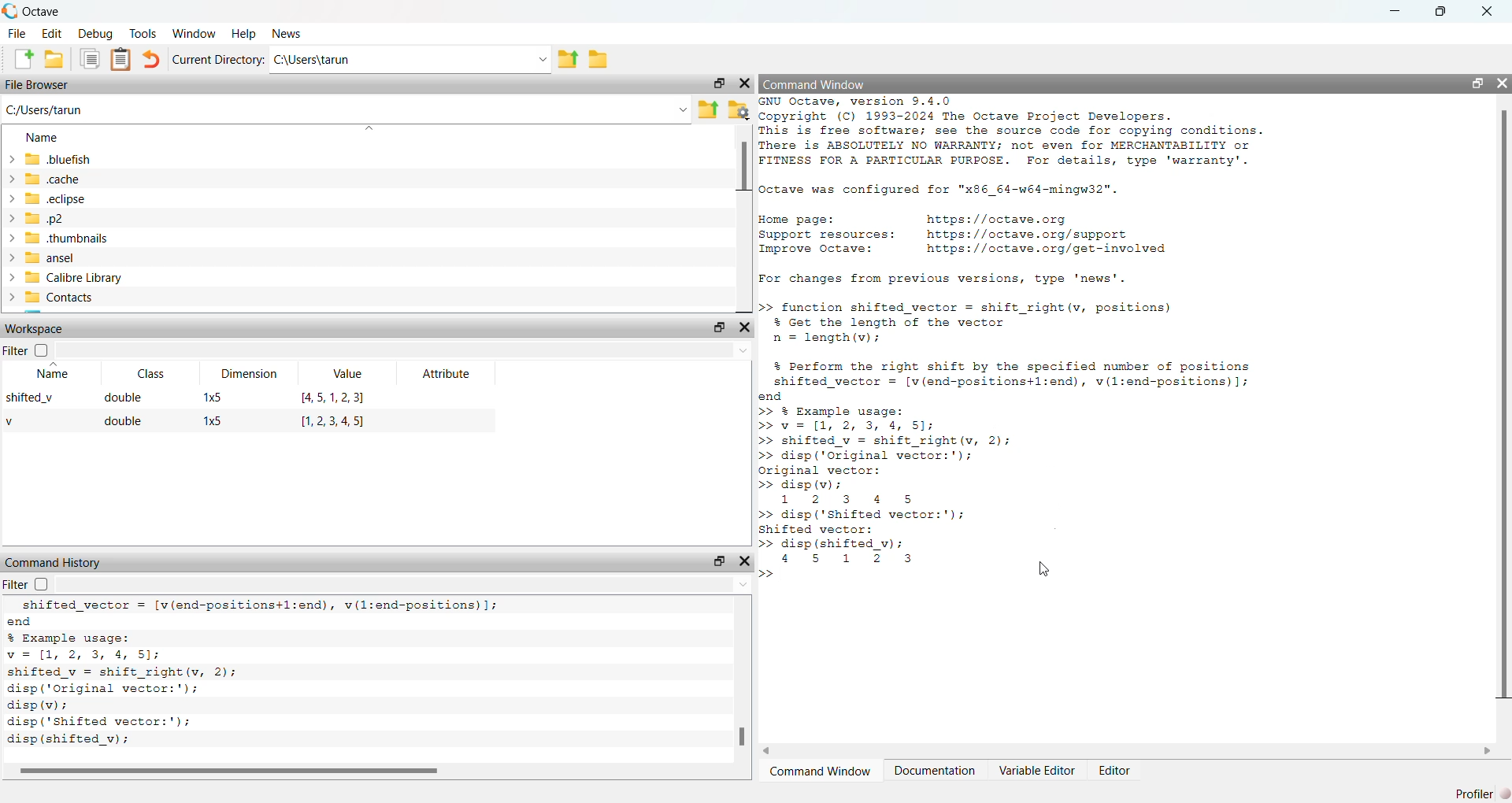 This screenshot has width=1512, height=803. Describe the element at coordinates (1473, 84) in the screenshot. I see `unlock widget` at that location.